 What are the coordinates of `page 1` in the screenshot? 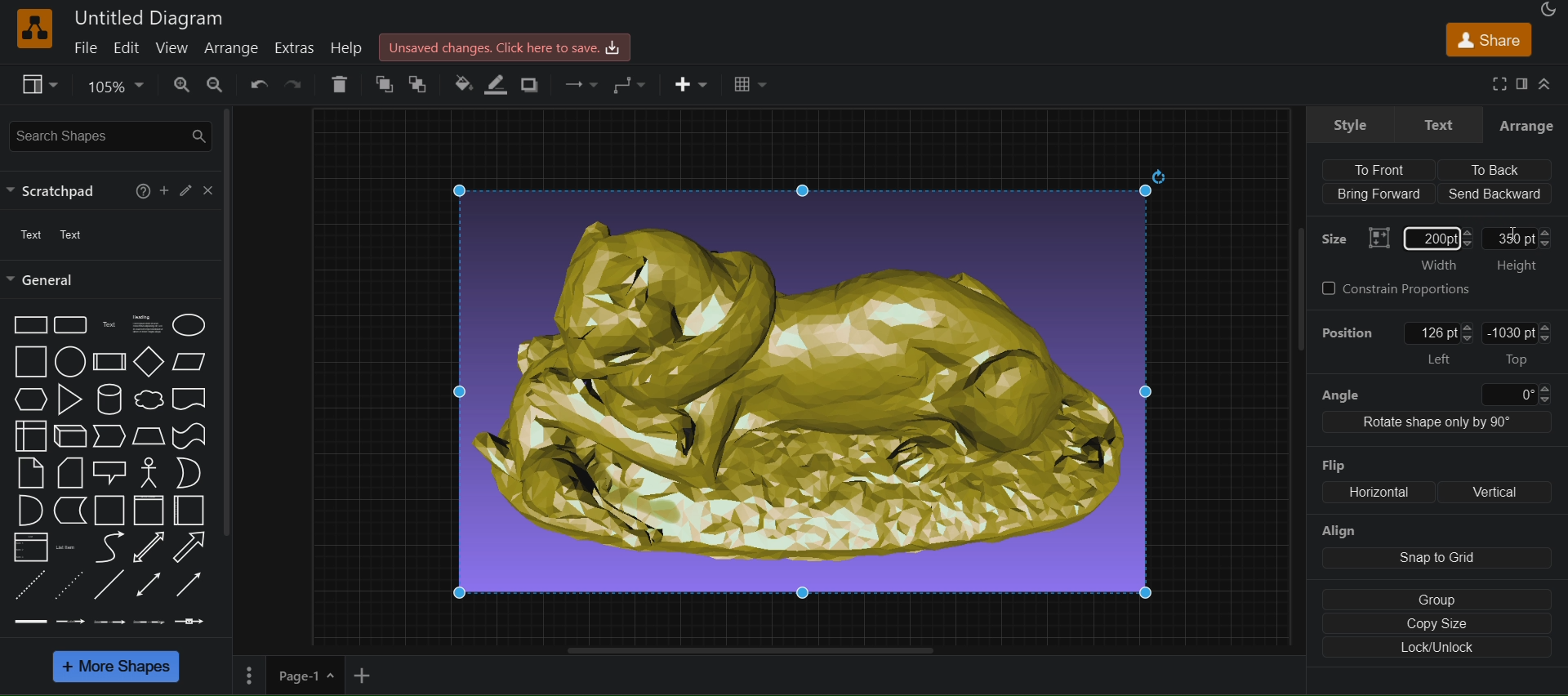 It's located at (307, 676).